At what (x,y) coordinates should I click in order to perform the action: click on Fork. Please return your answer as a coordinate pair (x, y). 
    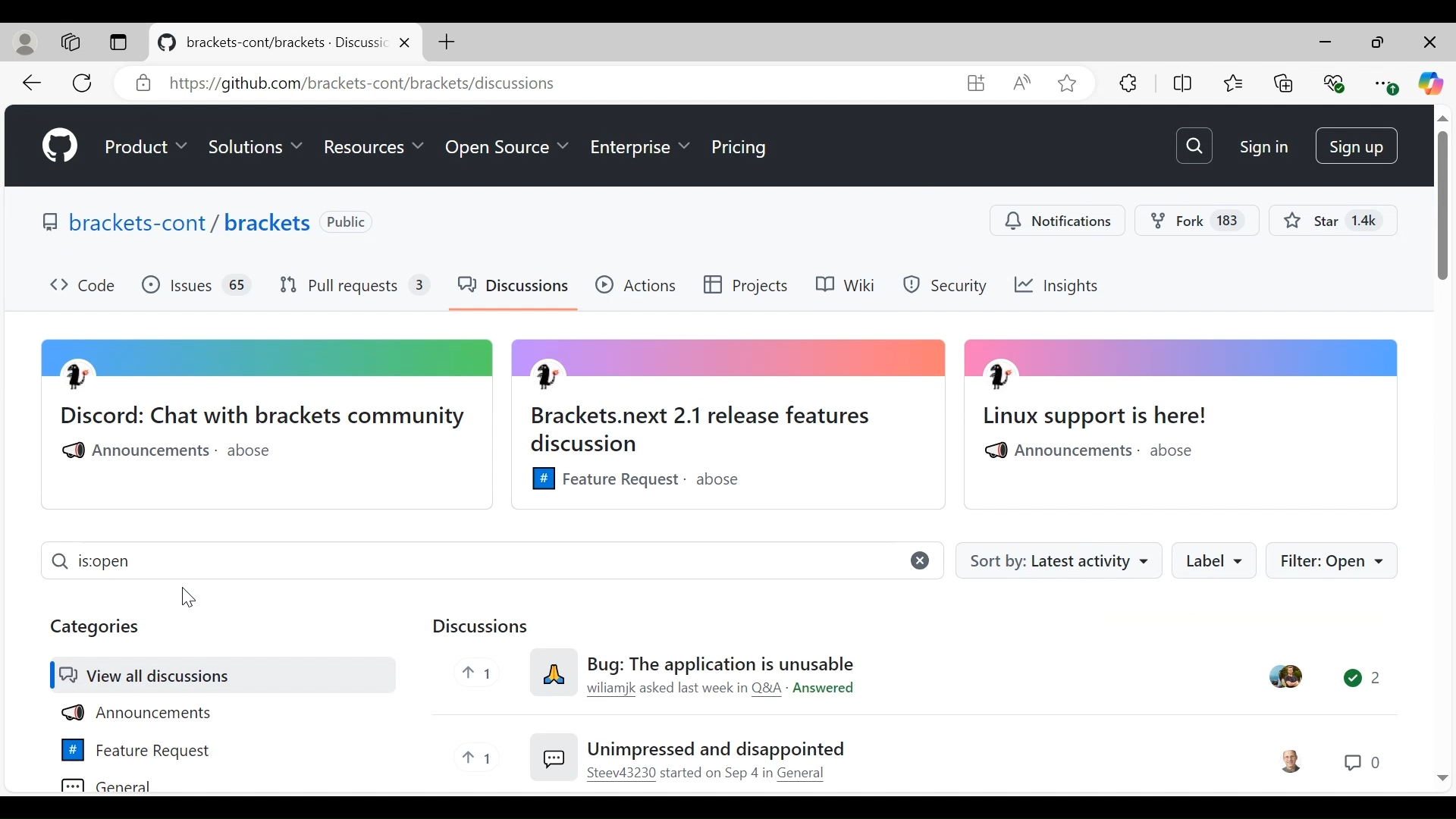
    Looking at the image, I should click on (1196, 221).